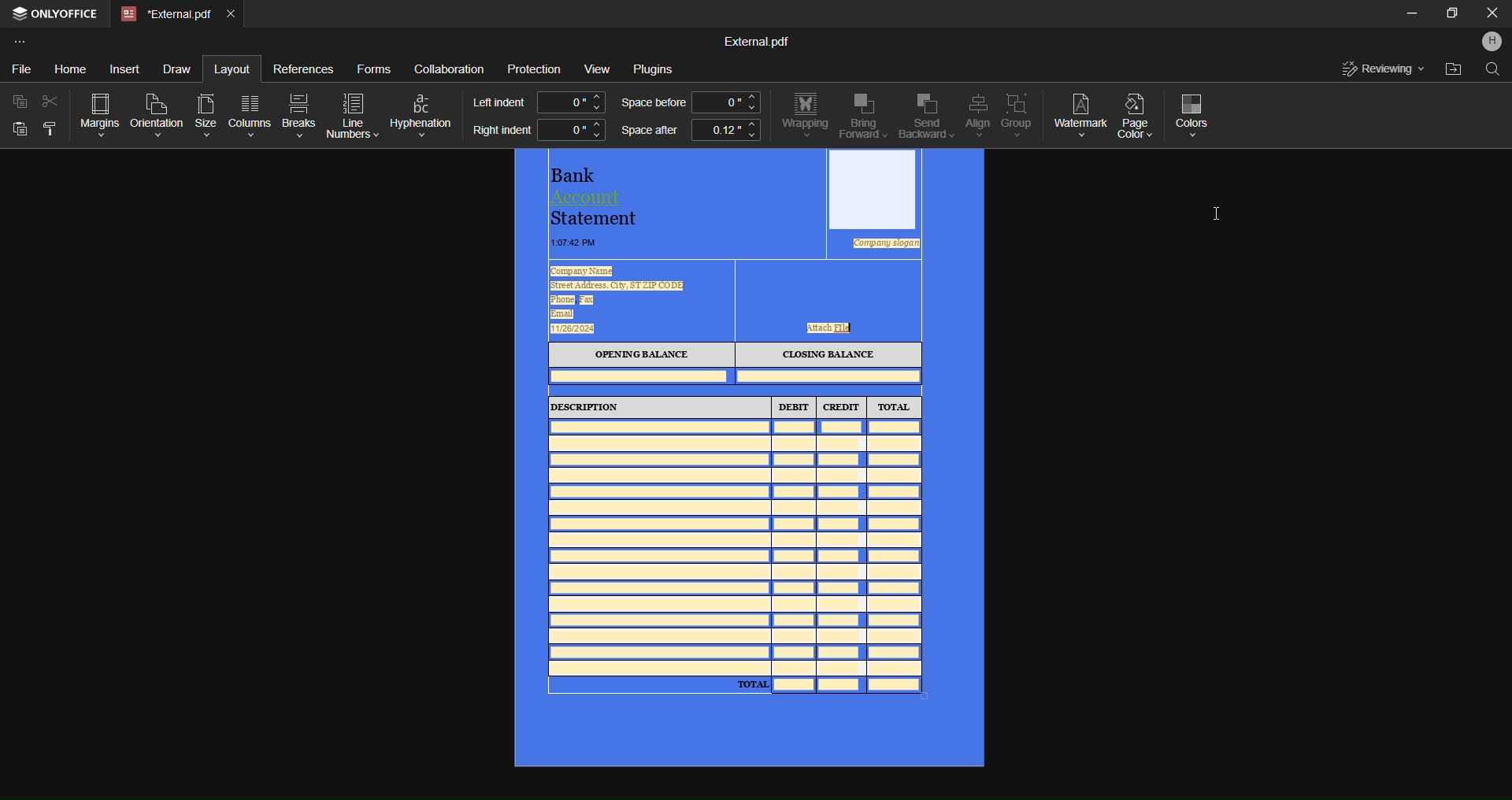 This screenshot has height=800, width=1512. What do you see at coordinates (180, 67) in the screenshot?
I see `Draw` at bounding box center [180, 67].